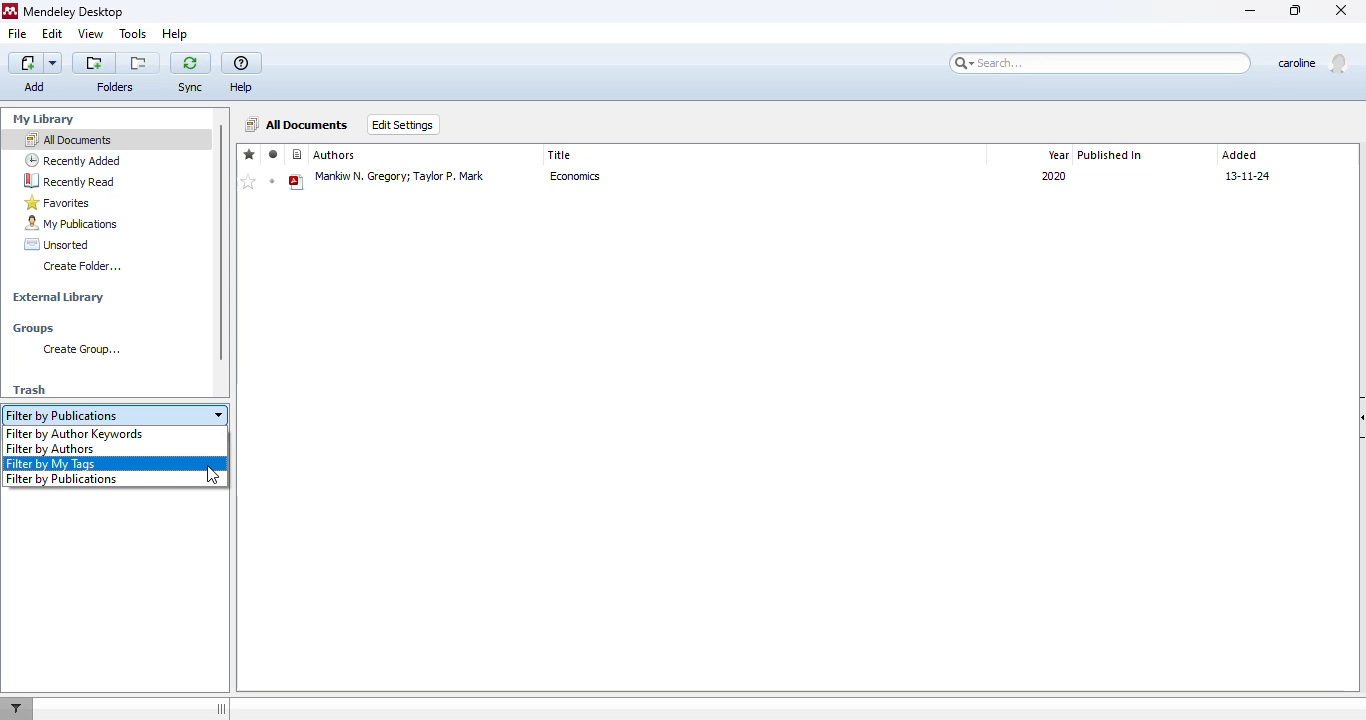 The image size is (1366, 720). What do you see at coordinates (29, 390) in the screenshot?
I see `trash` at bounding box center [29, 390].